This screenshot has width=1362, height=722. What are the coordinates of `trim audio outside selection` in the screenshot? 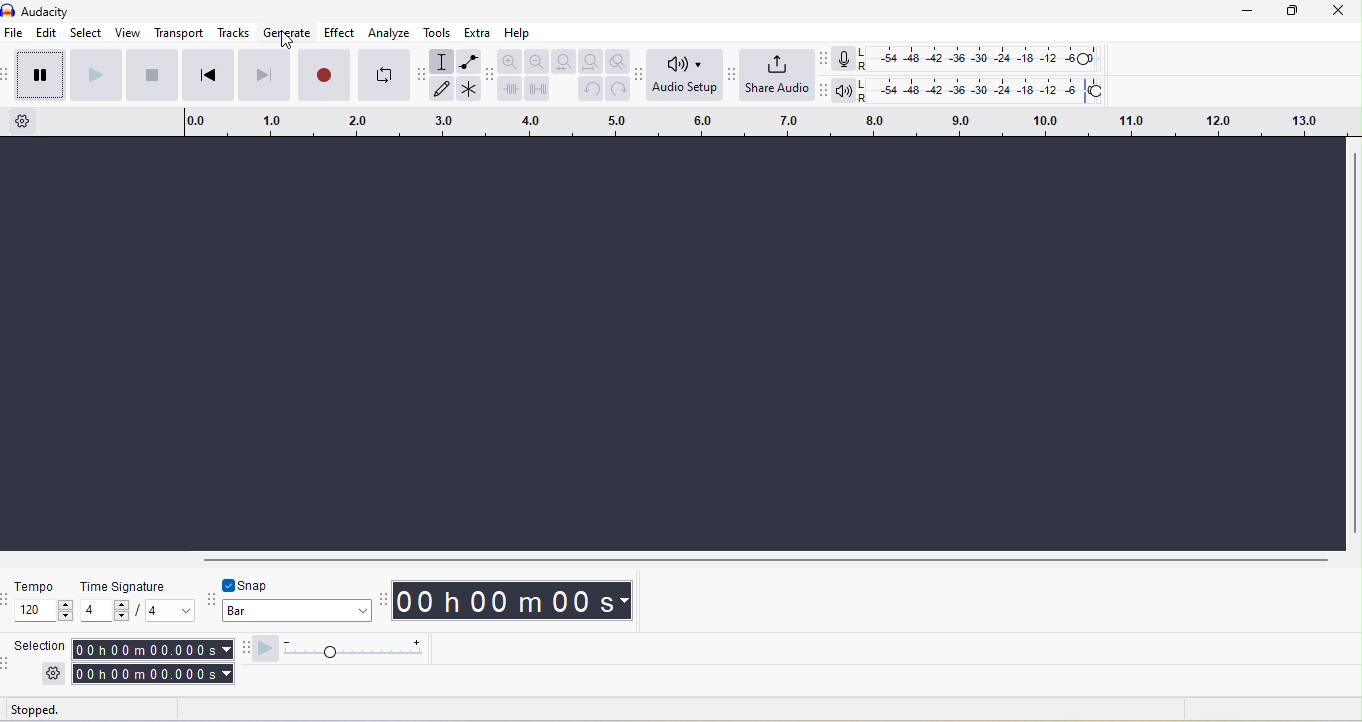 It's located at (510, 88).